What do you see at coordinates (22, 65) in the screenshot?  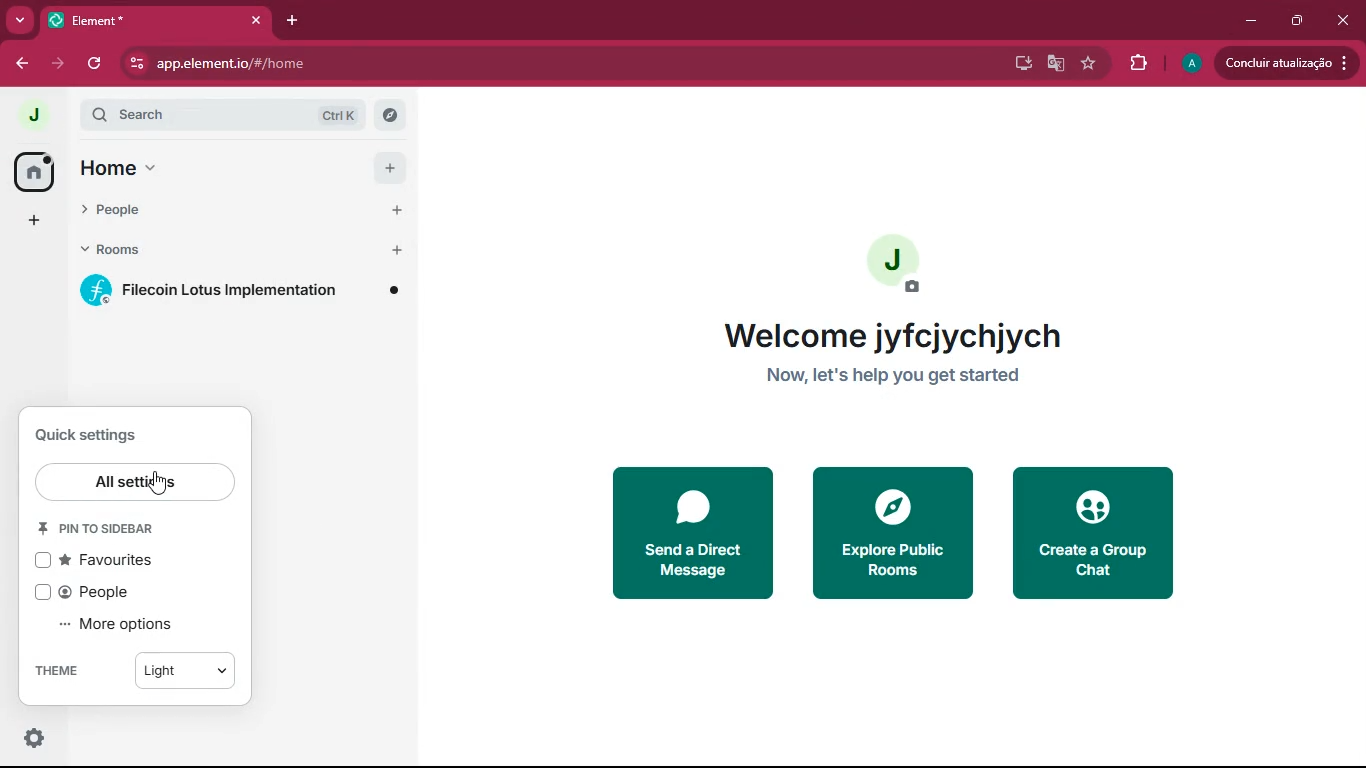 I see `back` at bounding box center [22, 65].